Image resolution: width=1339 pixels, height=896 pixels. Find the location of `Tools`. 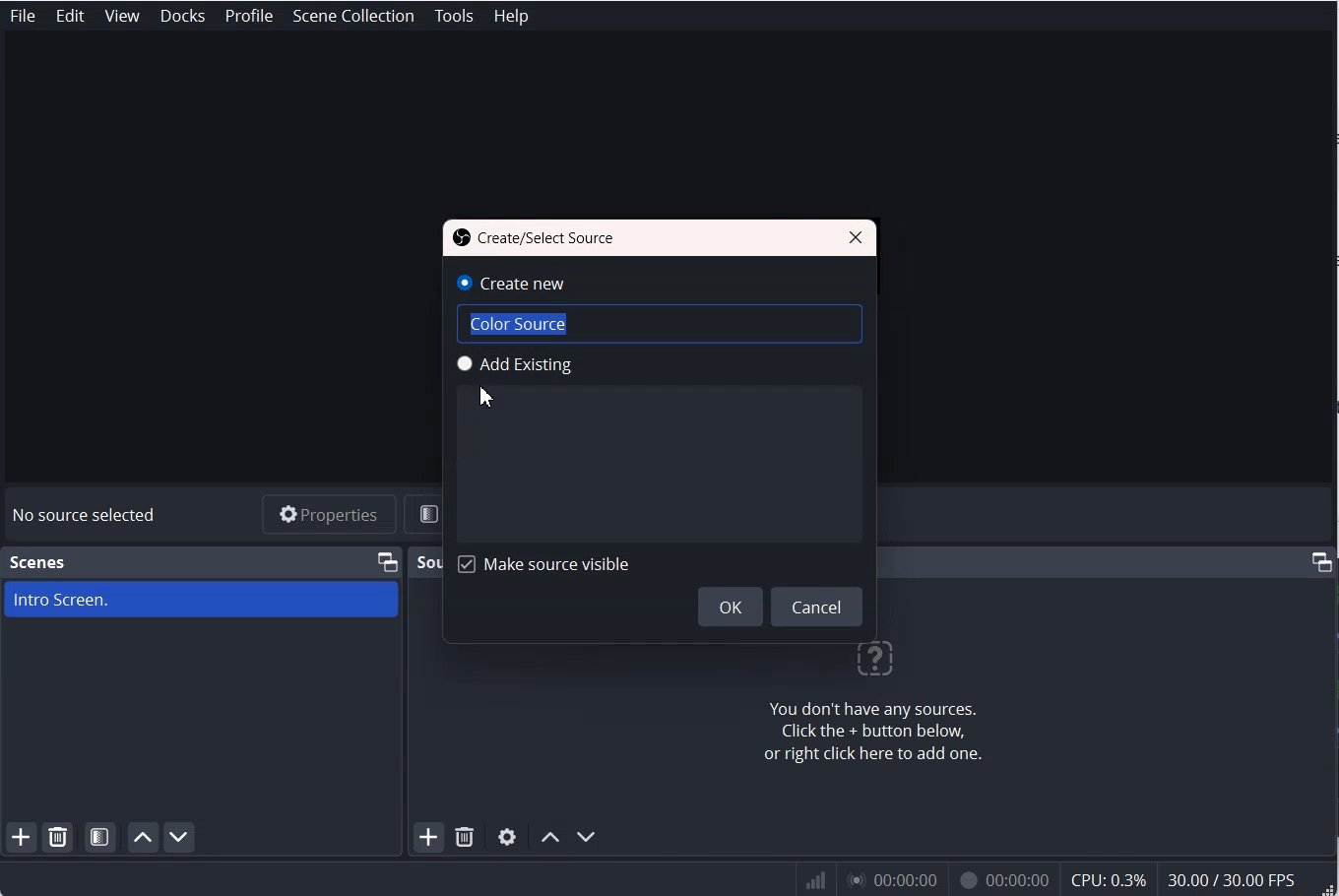

Tools is located at coordinates (454, 16).